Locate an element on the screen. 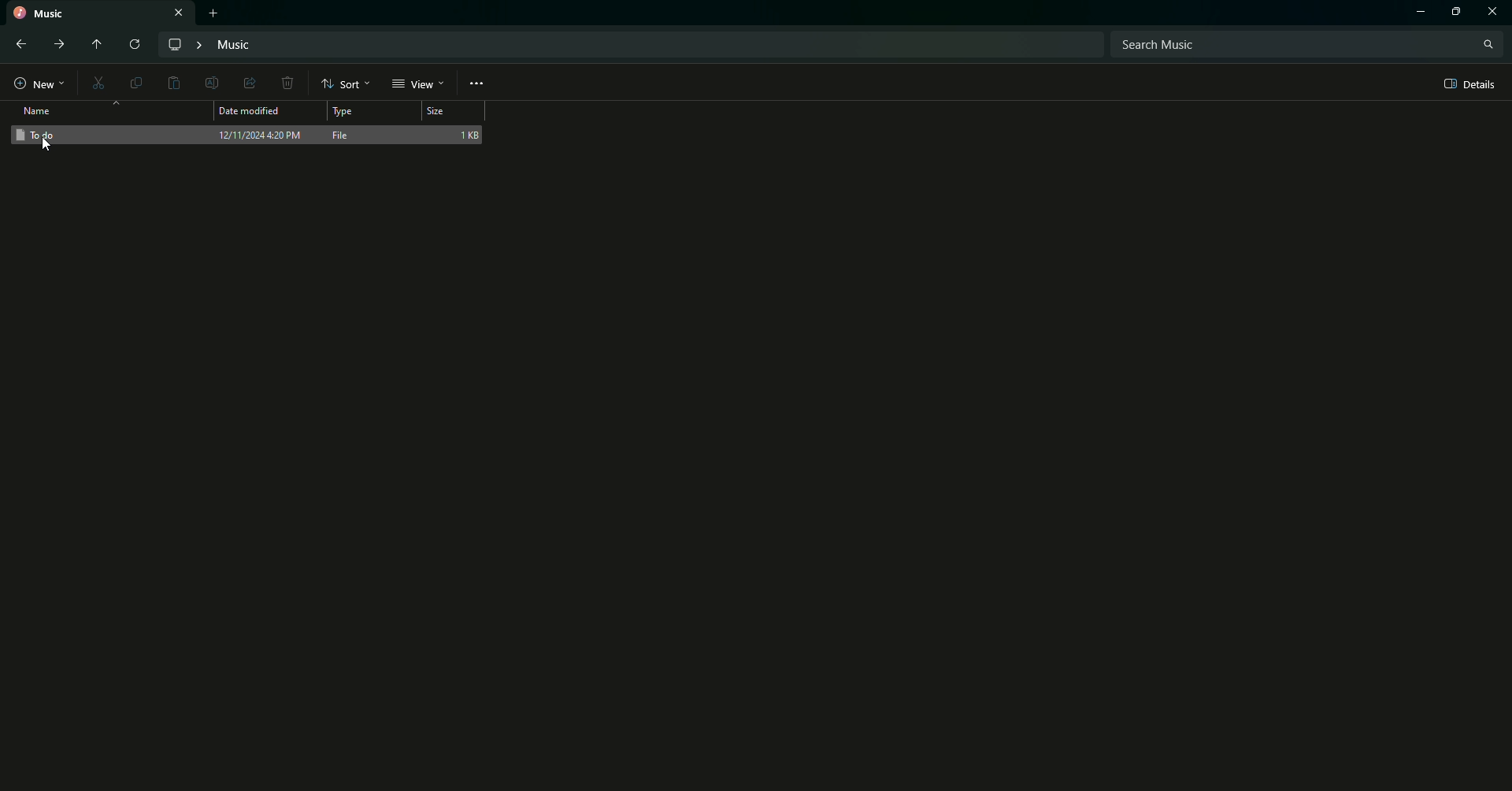 The height and width of the screenshot is (791, 1512). Sort is located at coordinates (344, 84).